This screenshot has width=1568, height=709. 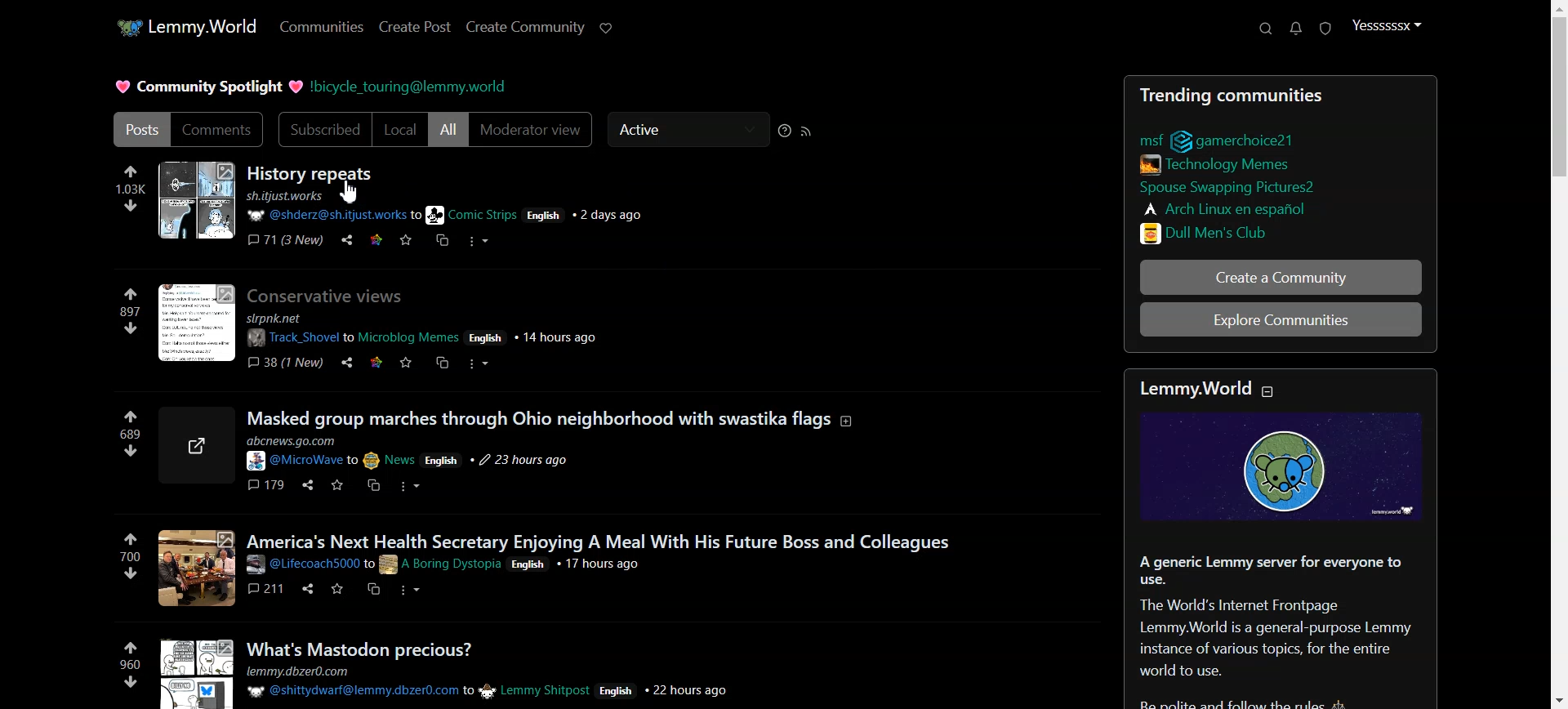 What do you see at coordinates (533, 129) in the screenshot?
I see `Moderator view` at bounding box center [533, 129].